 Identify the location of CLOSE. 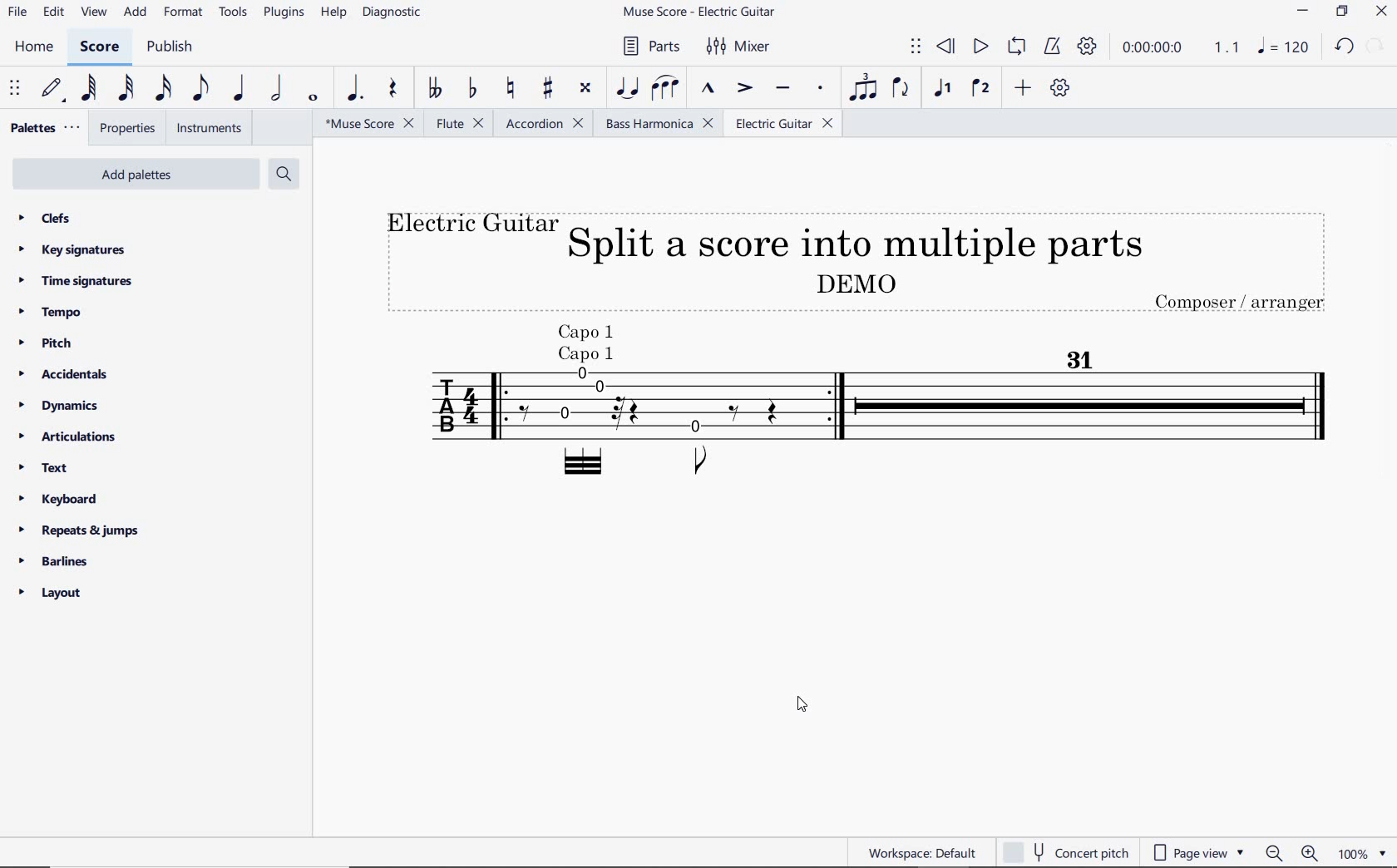
(1380, 12).